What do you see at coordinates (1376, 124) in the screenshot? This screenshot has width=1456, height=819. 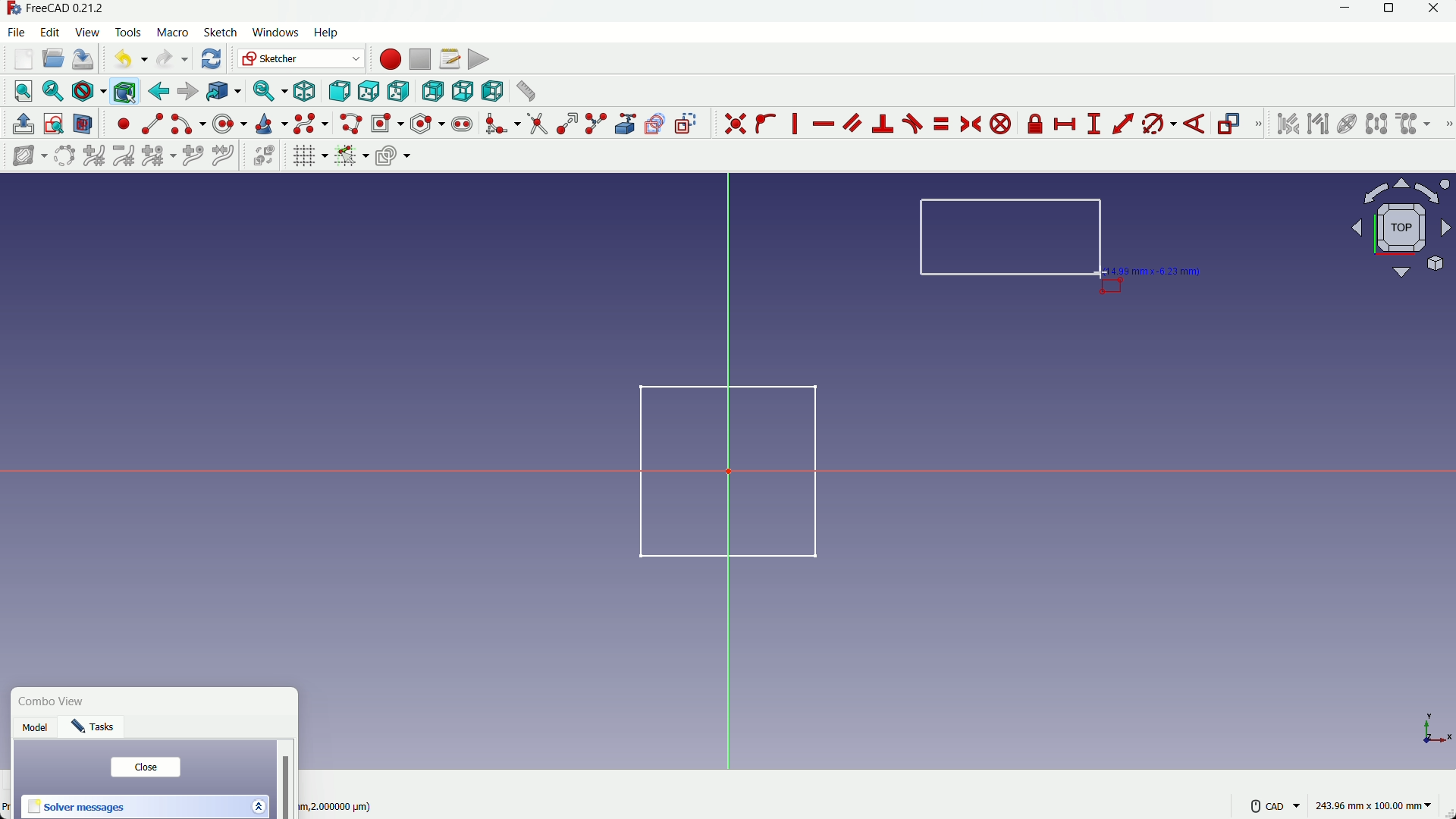 I see `symmetry` at bounding box center [1376, 124].